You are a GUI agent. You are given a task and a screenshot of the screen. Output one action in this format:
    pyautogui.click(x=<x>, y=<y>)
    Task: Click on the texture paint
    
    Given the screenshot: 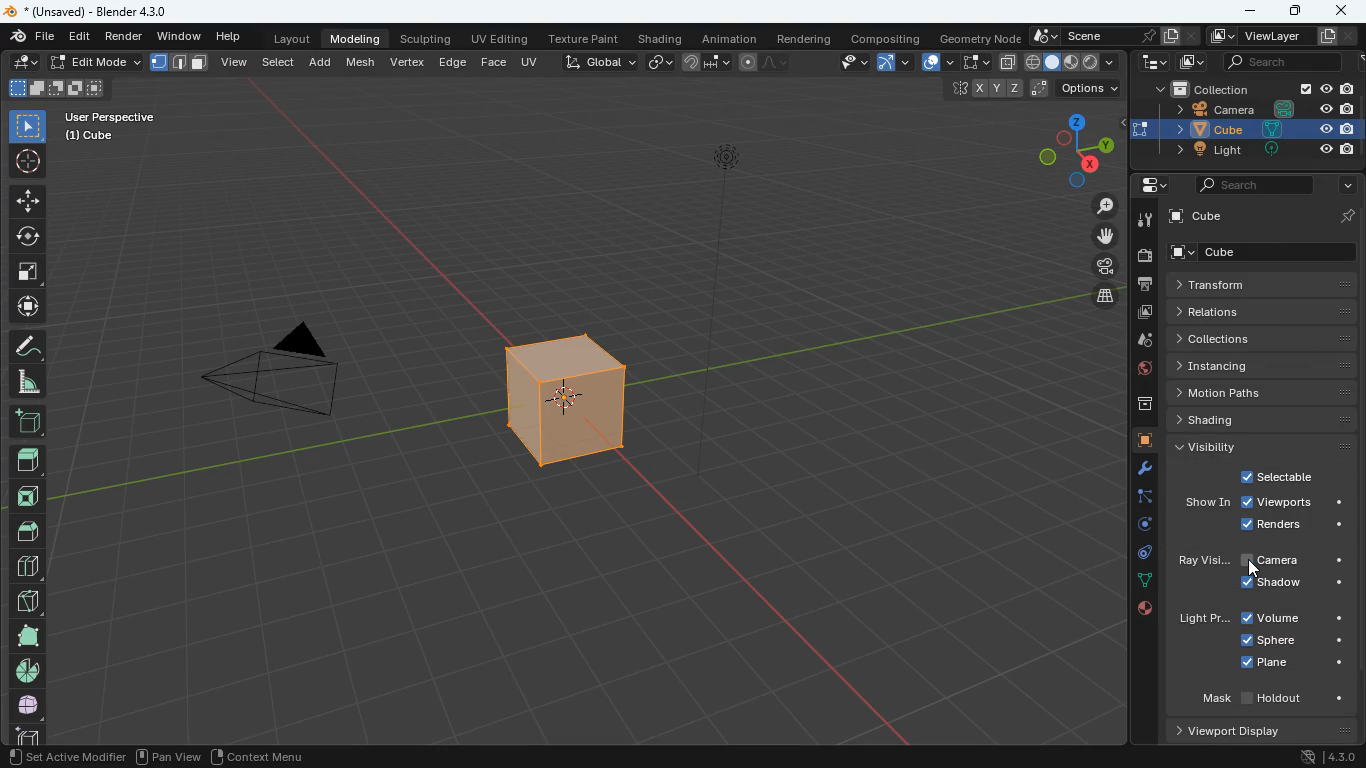 What is the action you would take?
    pyautogui.click(x=582, y=39)
    